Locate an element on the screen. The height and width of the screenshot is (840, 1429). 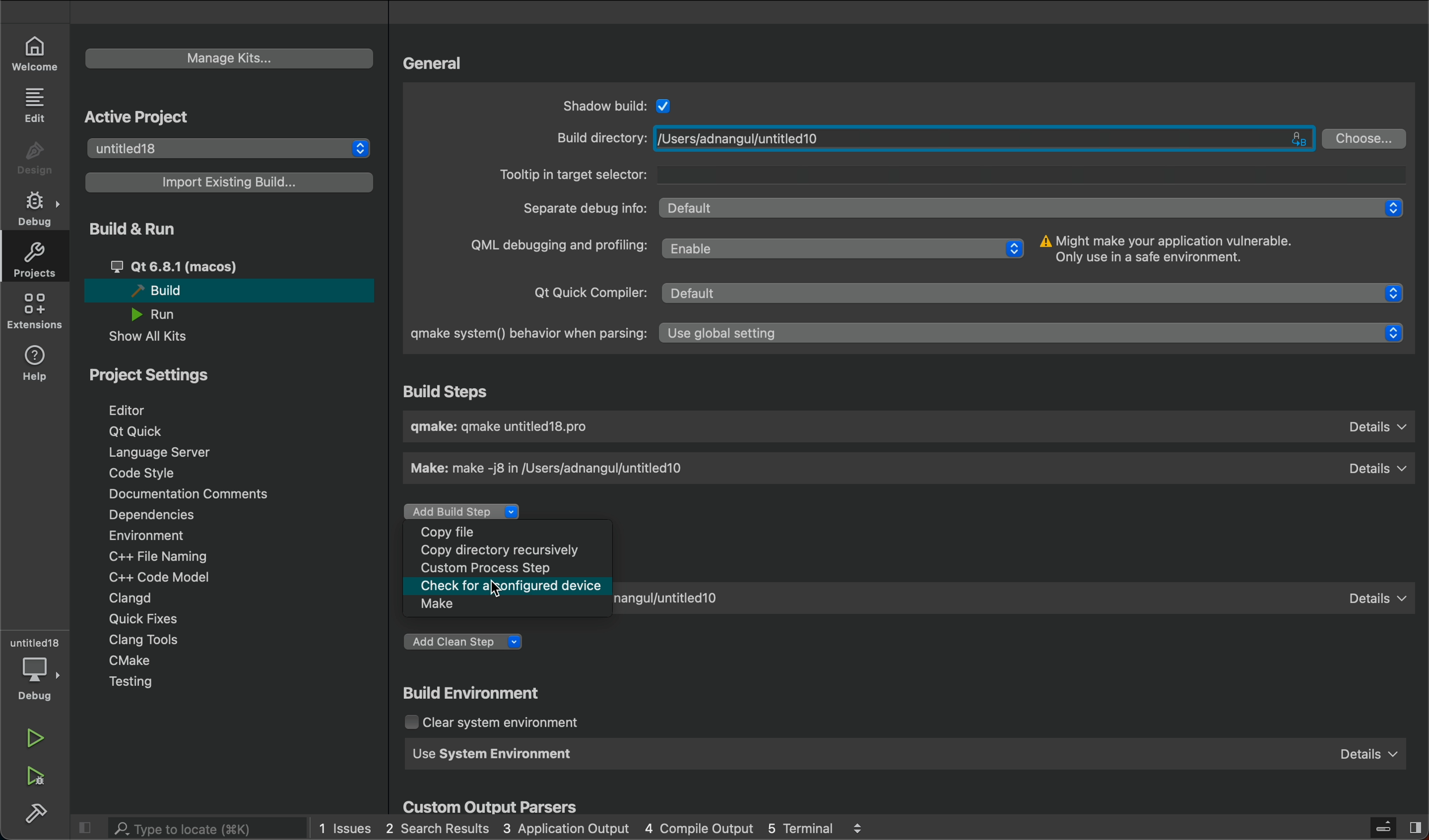
untitled                 is located at coordinates (236, 147).